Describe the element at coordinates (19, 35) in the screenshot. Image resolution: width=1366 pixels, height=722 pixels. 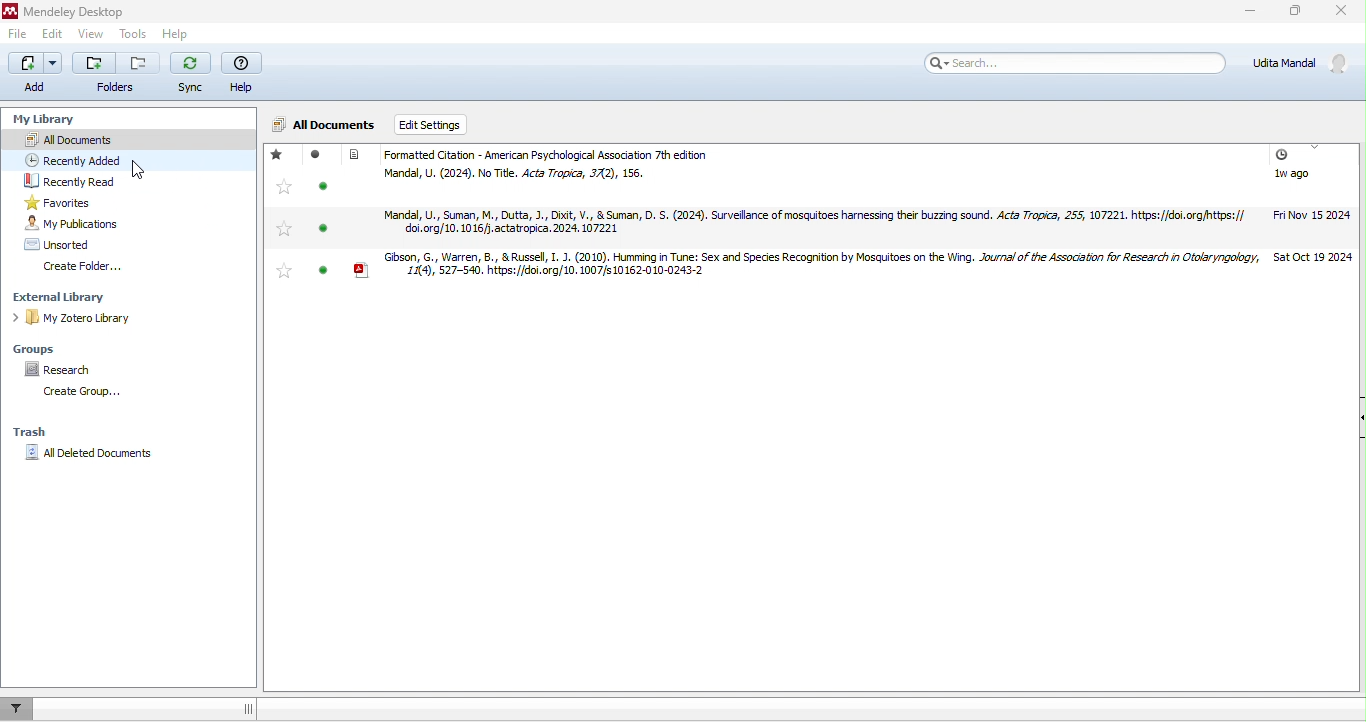
I see `file` at that location.